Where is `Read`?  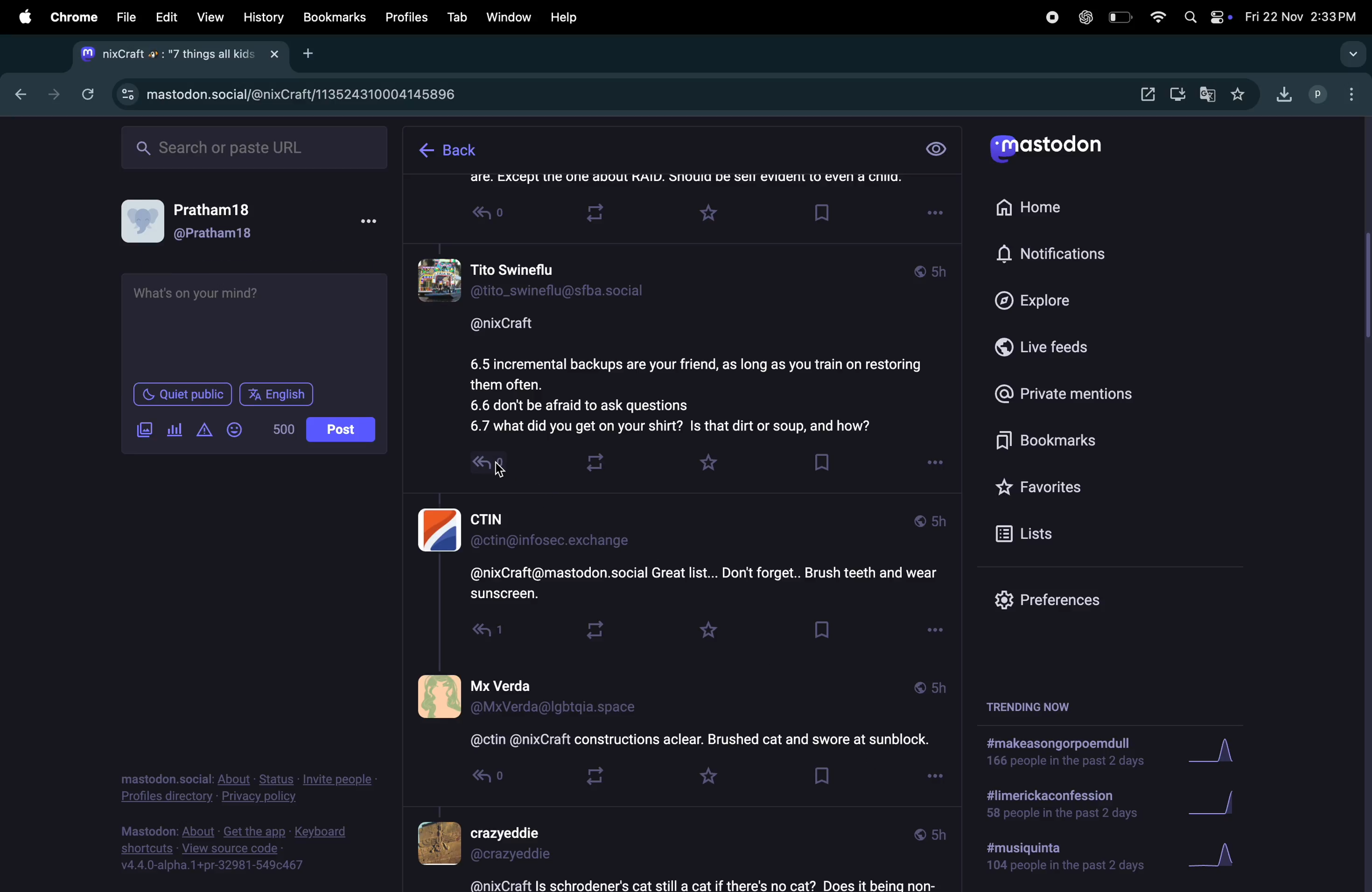 Read is located at coordinates (474, 634).